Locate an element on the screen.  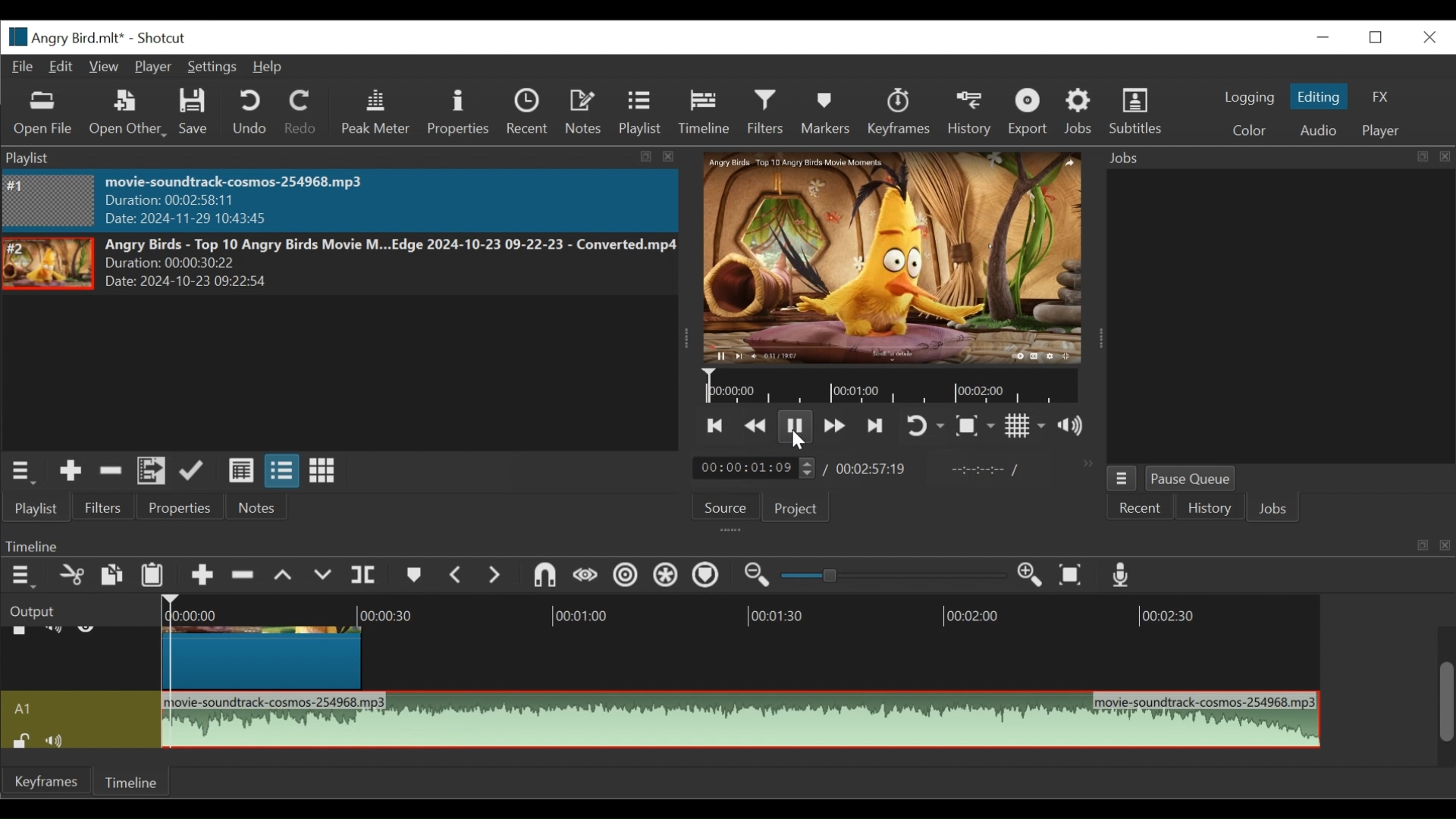
Image is located at coordinates (49, 200).